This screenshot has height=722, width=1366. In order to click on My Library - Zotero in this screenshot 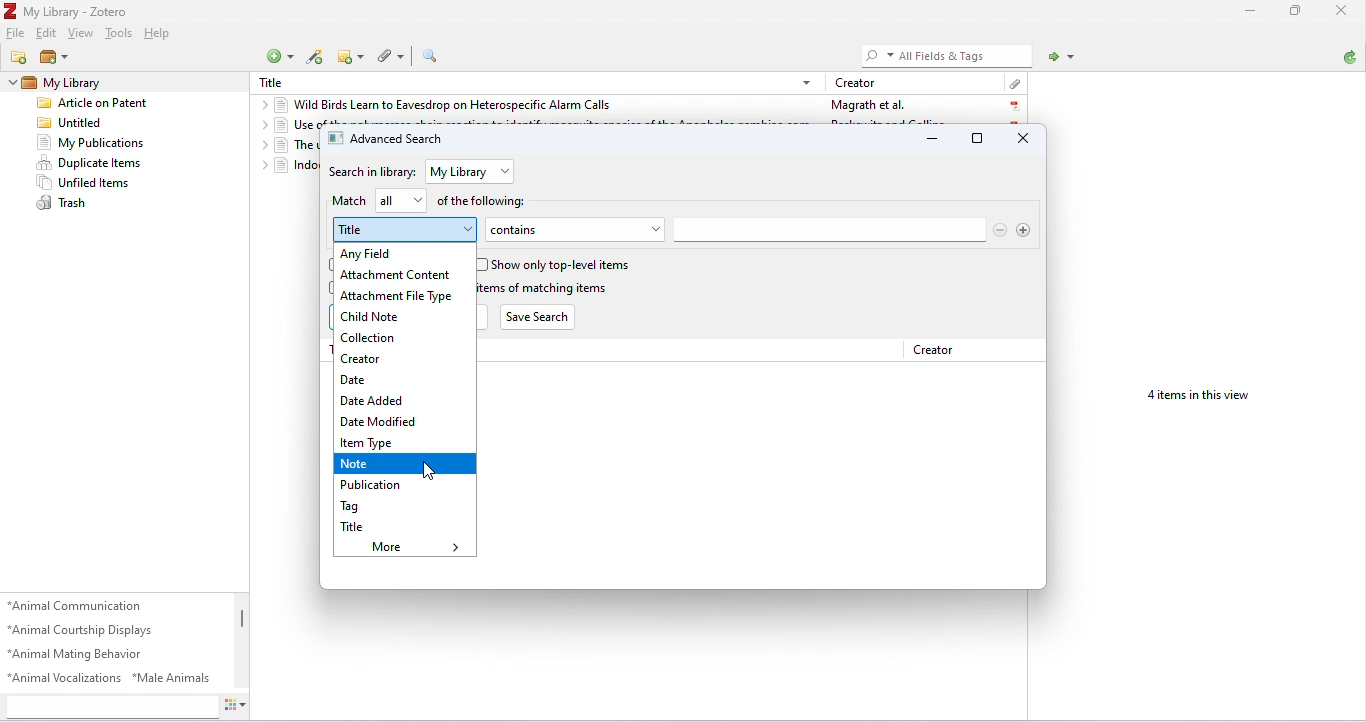, I will do `click(67, 12)`.